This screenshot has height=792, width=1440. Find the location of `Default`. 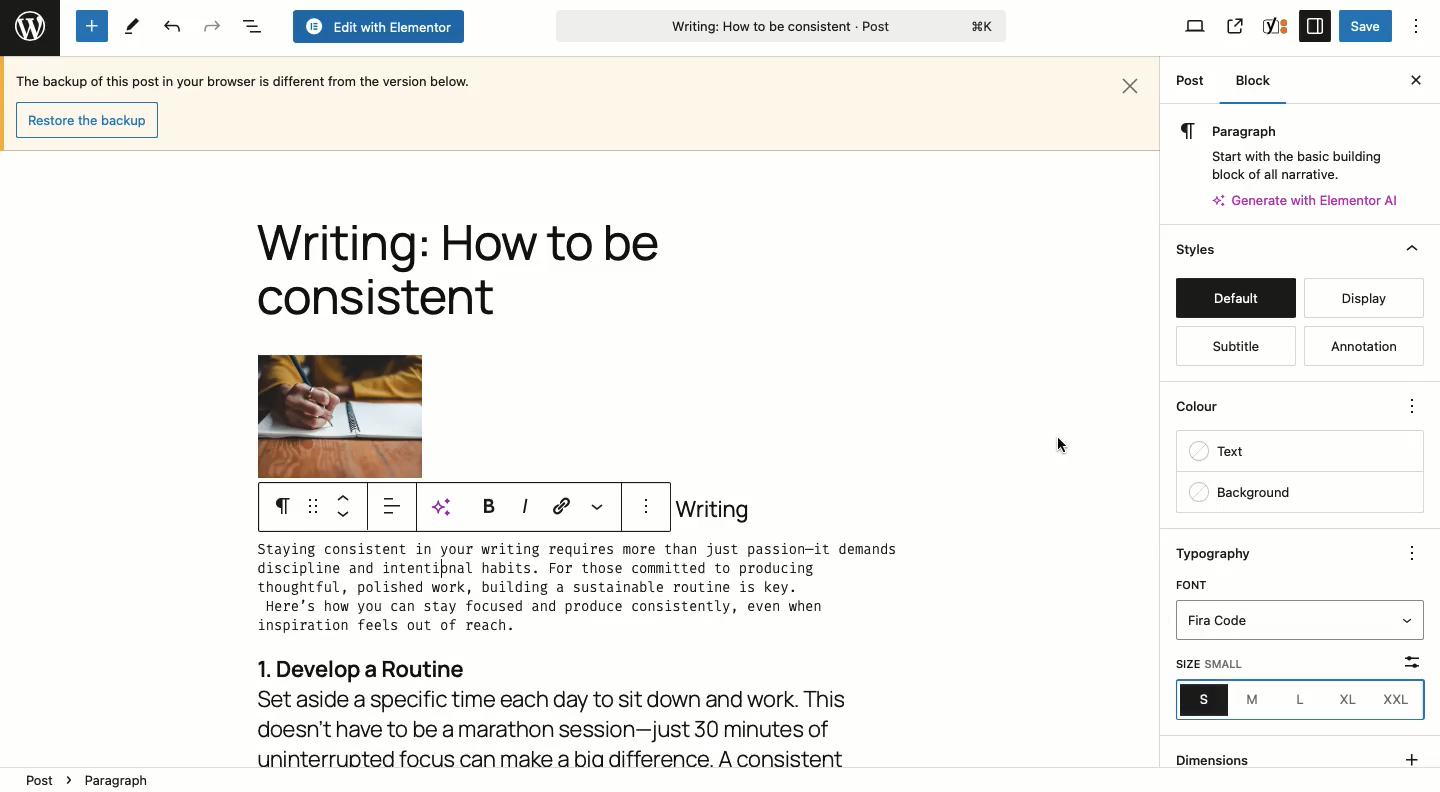

Default is located at coordinates (1235, 298).